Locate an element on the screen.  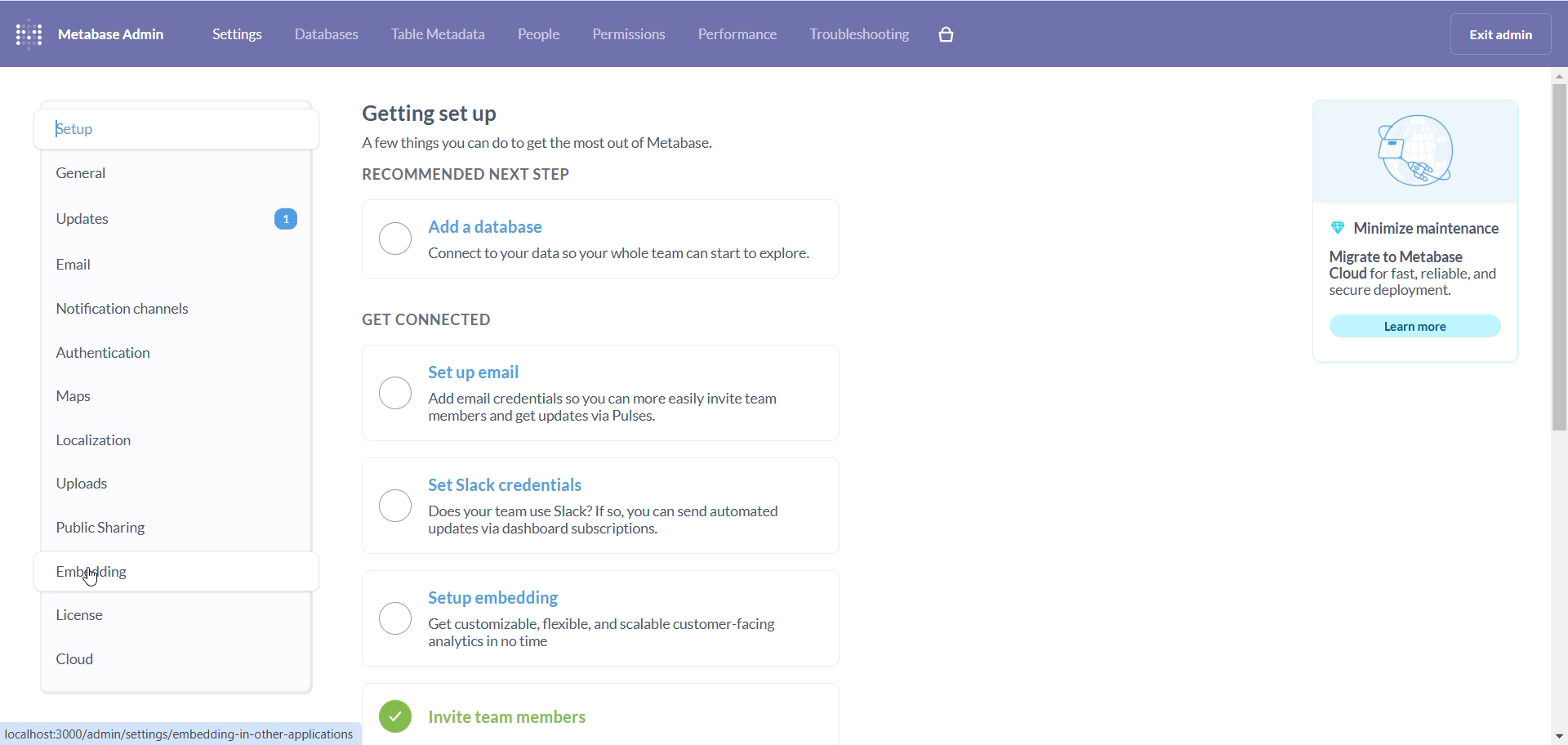
Getting set up. A few things you can do to get the most out of Metabase.RECOMMENDED NEXT STEP is located at coordinates (556, 145).